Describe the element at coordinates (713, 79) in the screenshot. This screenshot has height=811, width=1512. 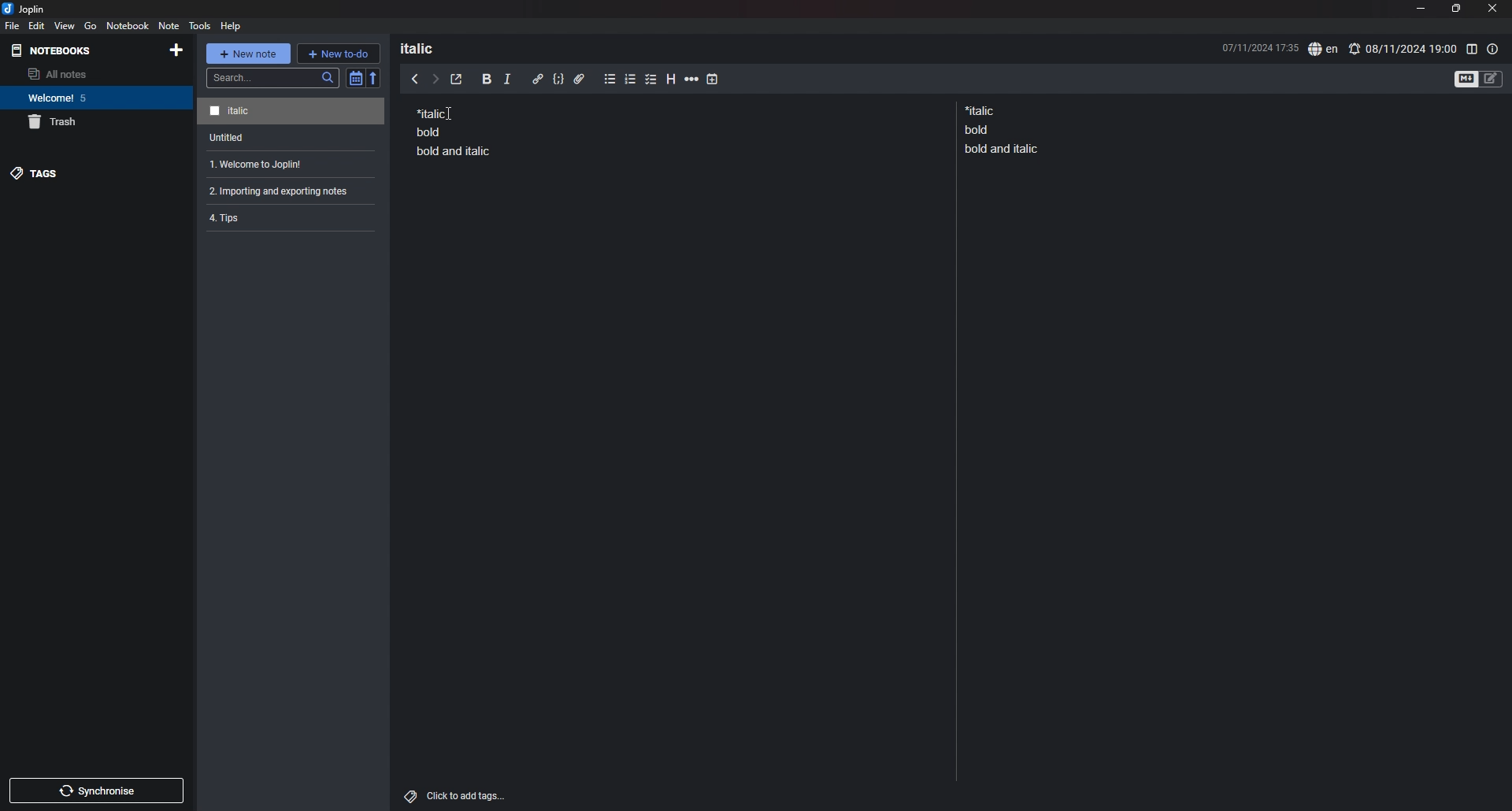
I see `add time` at that location.